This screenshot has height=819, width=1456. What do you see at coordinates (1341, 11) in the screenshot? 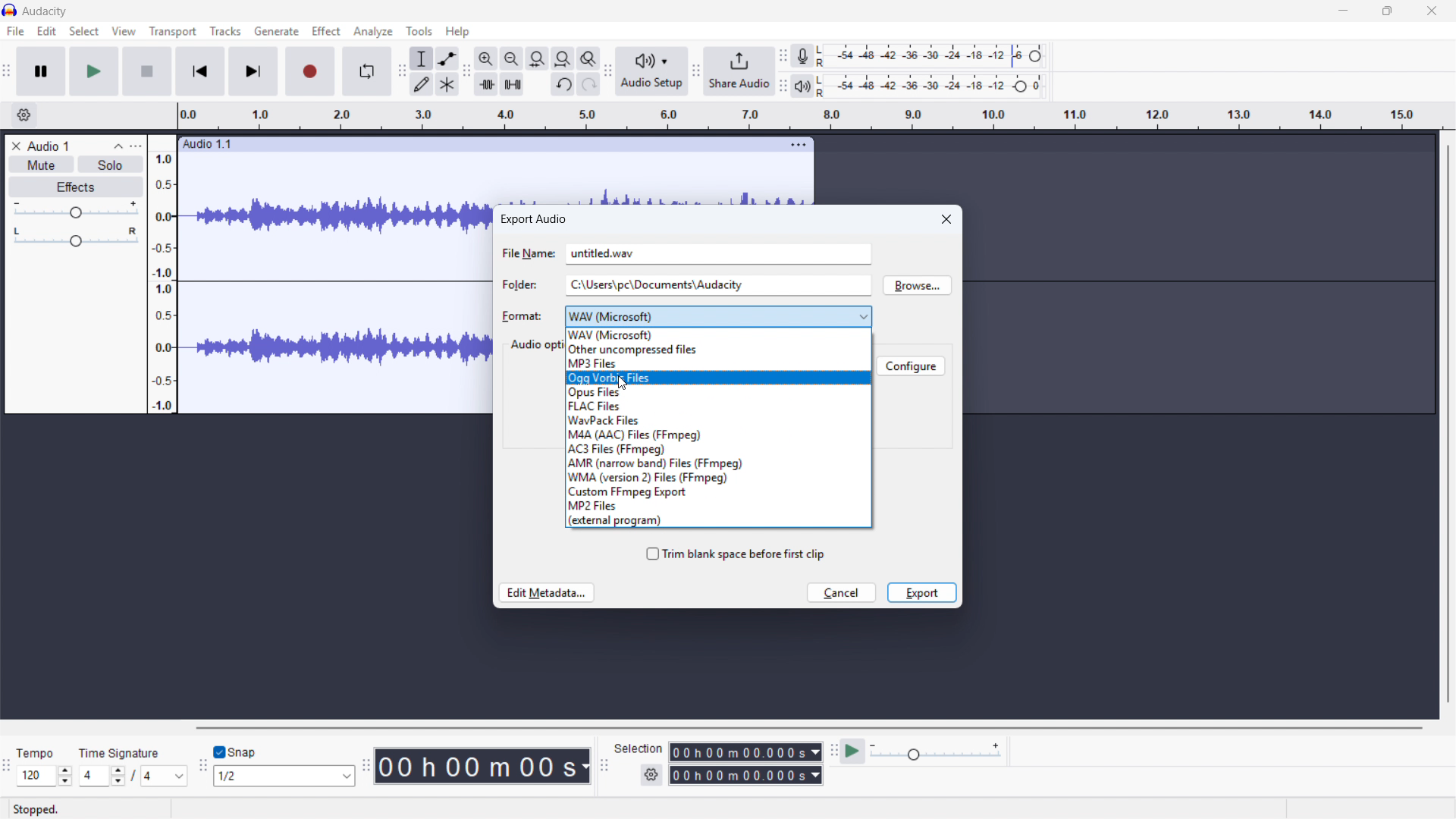
I see `minimise ` at bounding box center [1341, 11].